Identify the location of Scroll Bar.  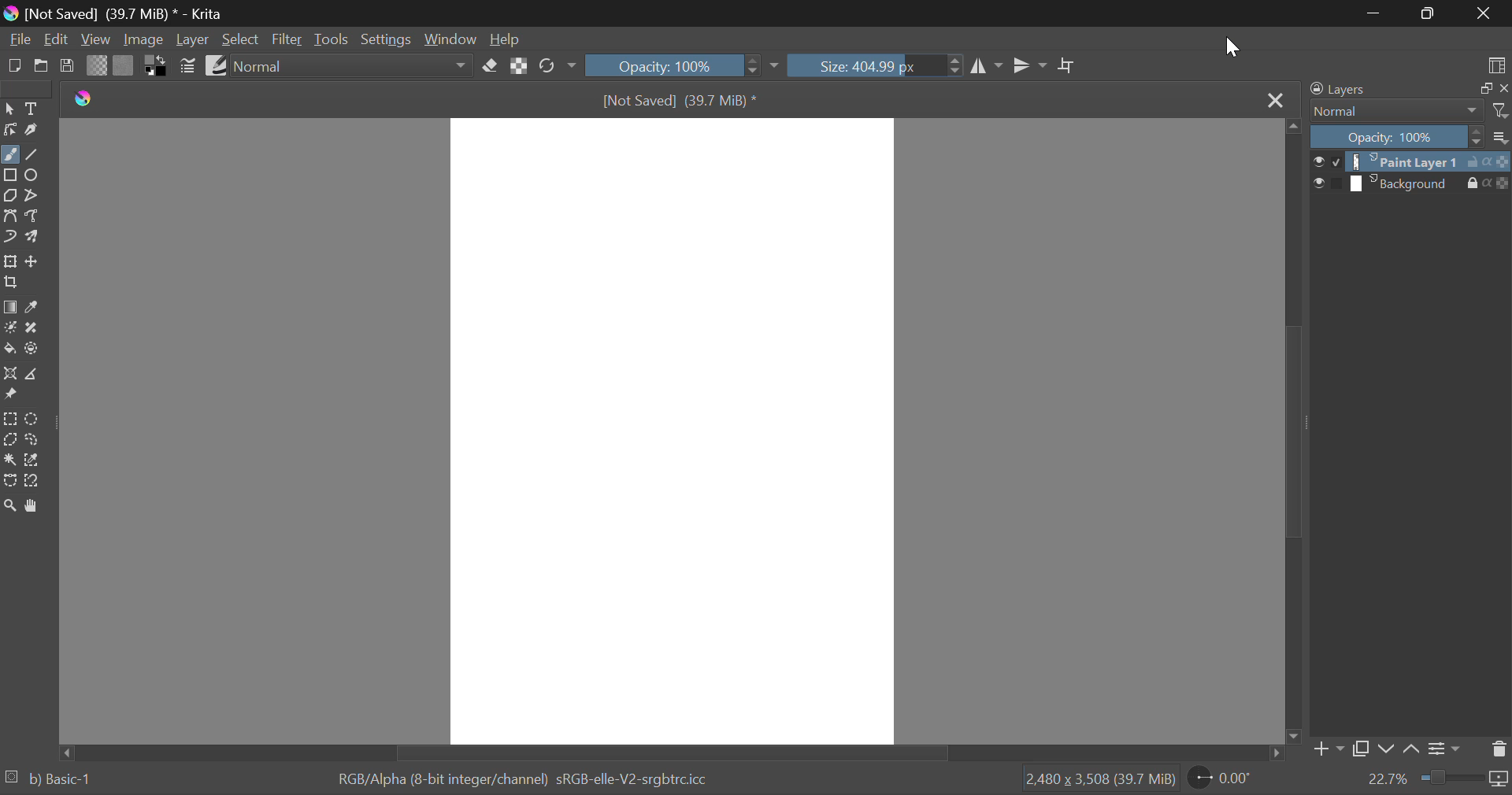
(1295, 430).